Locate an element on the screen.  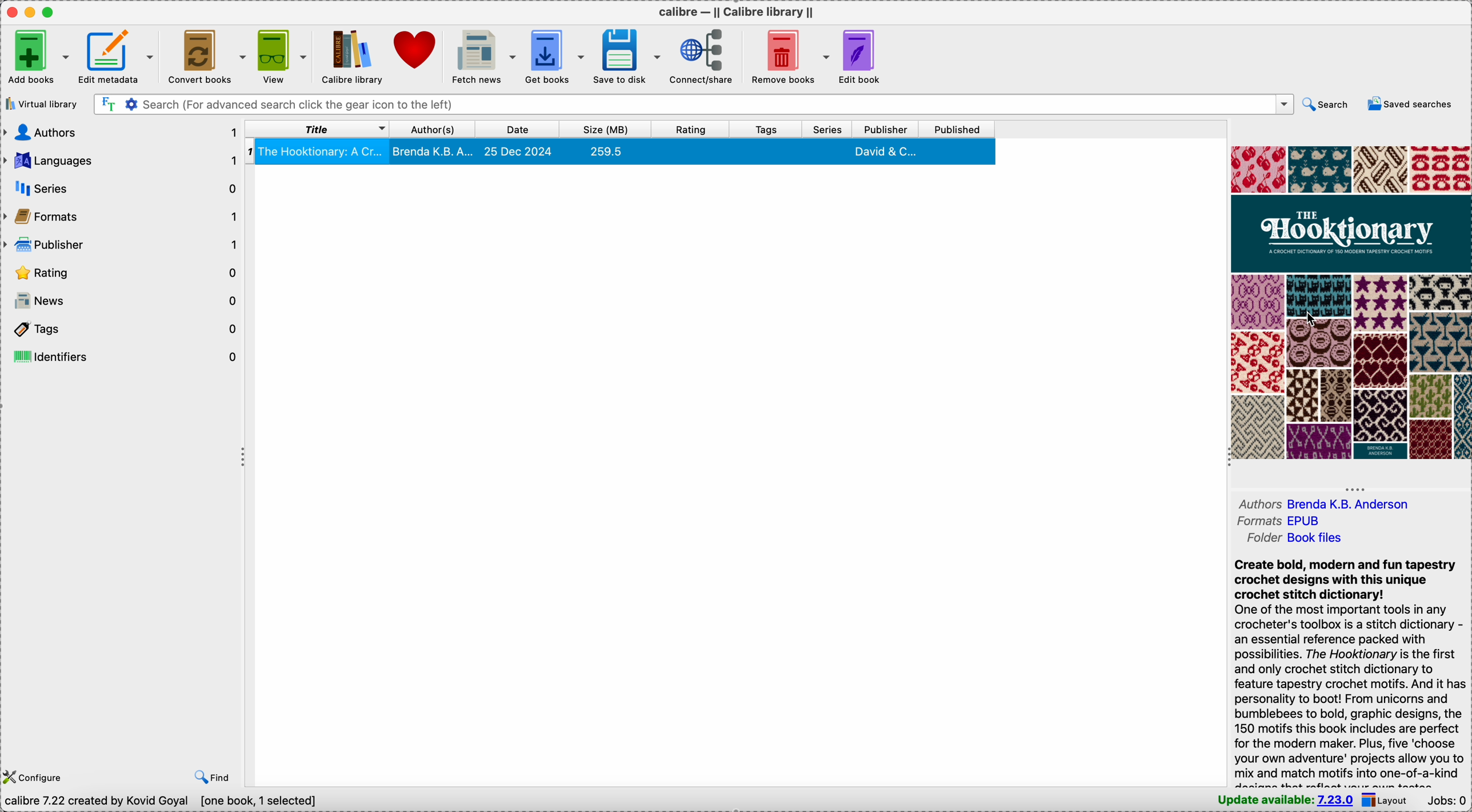
convert books is located at coordinates (205, 56).